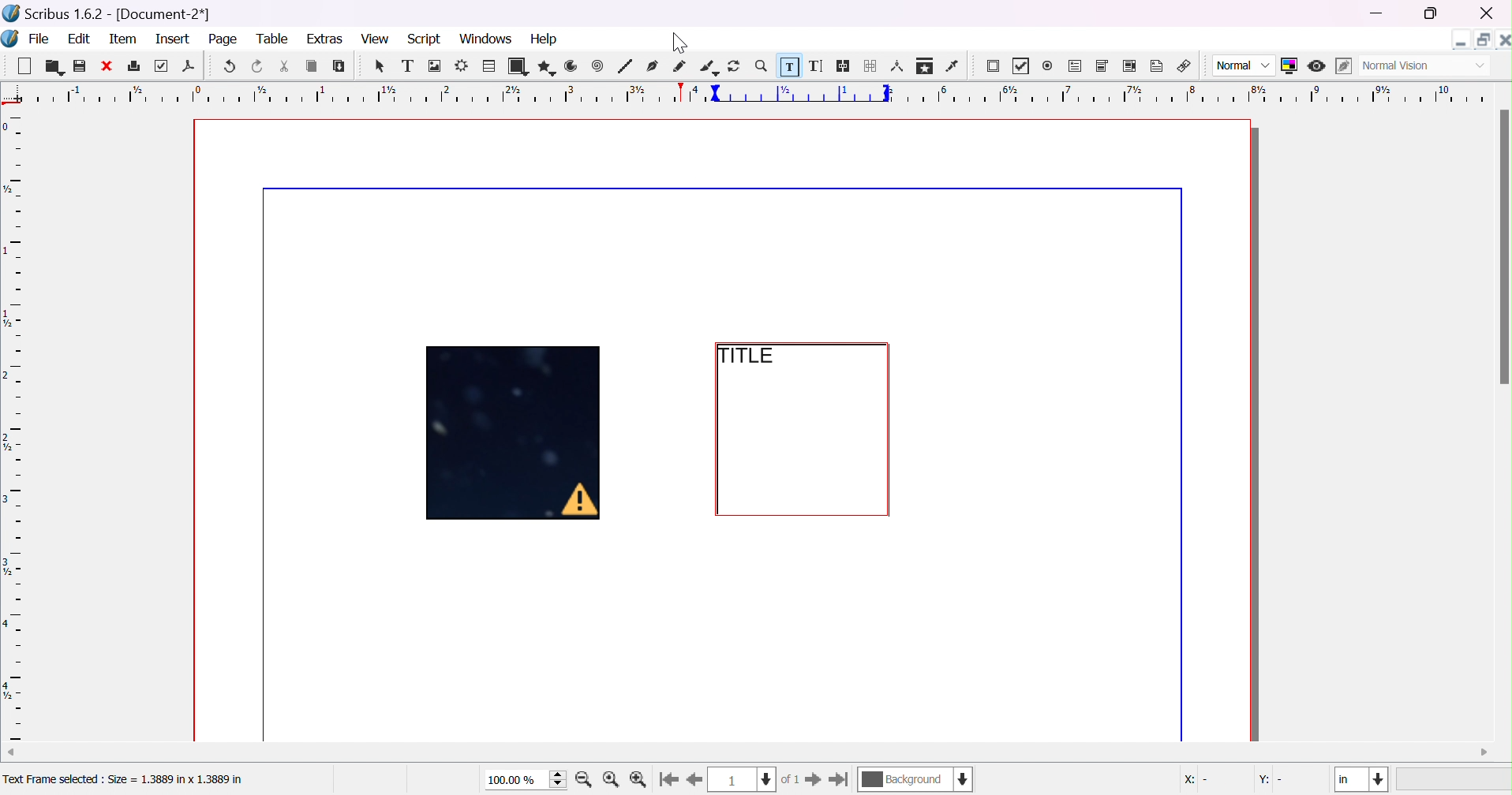  Describe the element at coordinates (312, 66) in the screenshot. I see `copy` at that location.